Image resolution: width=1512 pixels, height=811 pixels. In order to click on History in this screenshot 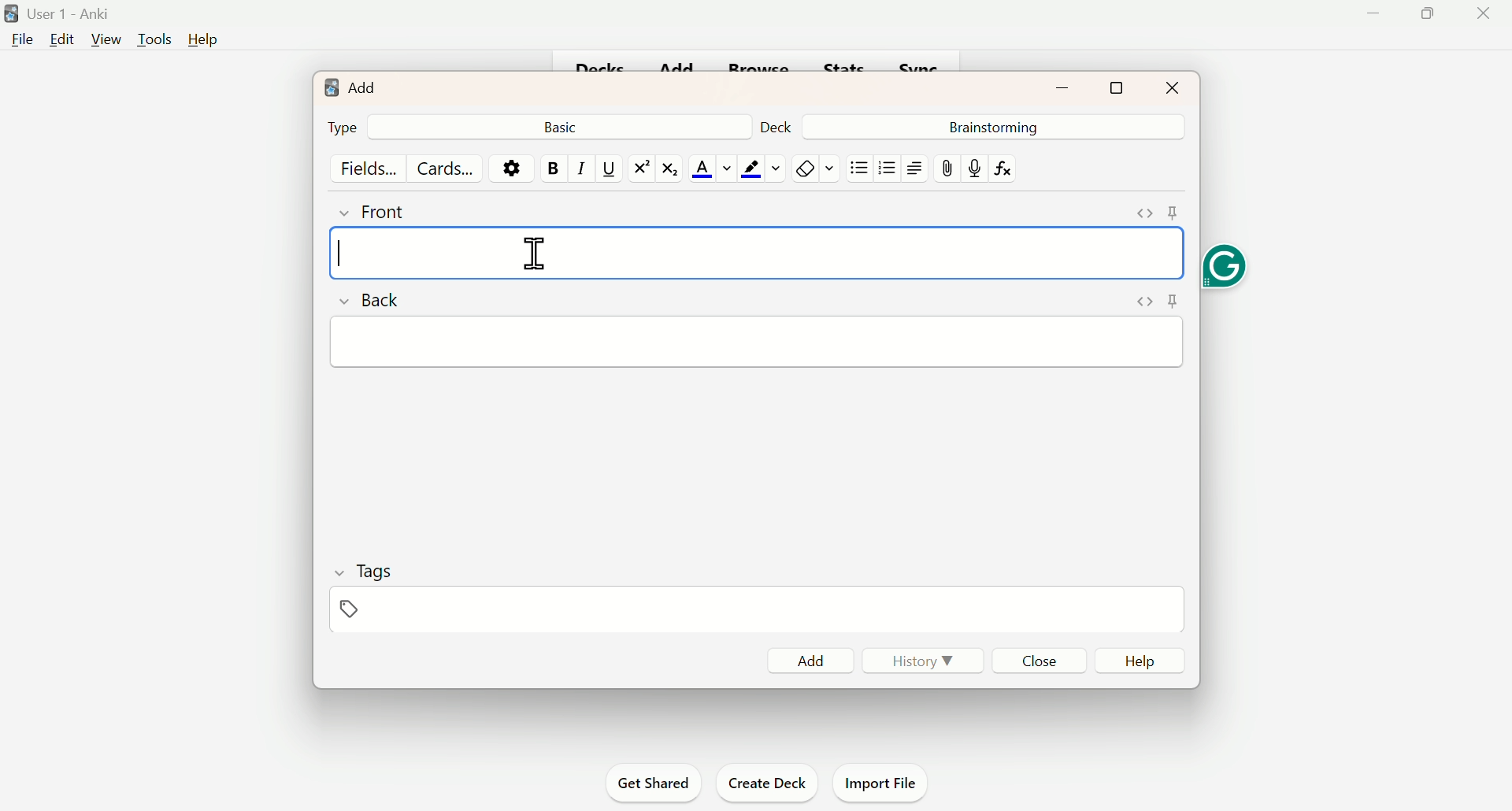, I will do `click(916, 659)`.